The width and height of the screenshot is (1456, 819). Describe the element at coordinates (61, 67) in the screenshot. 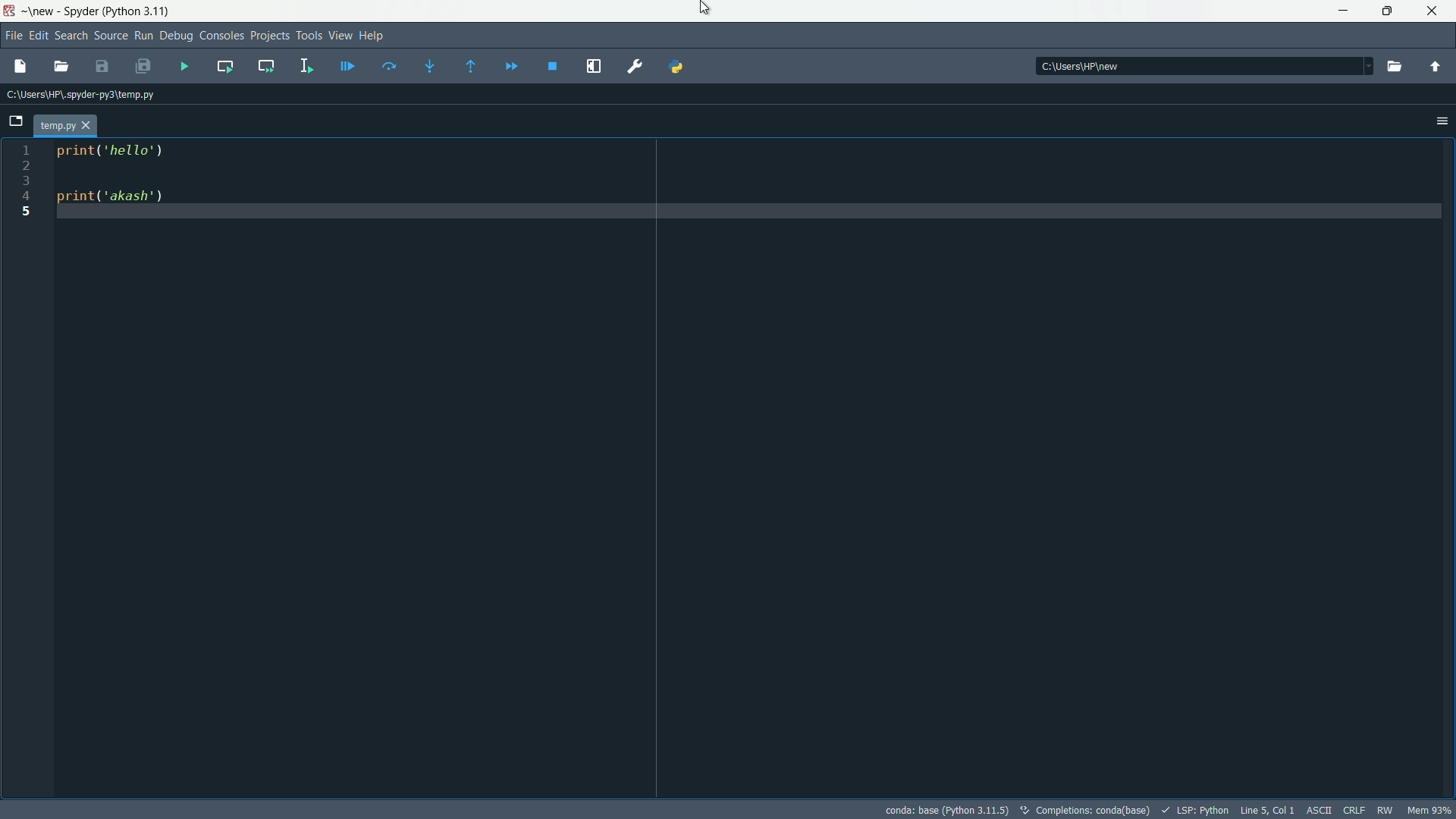

I see `open file` at that location.